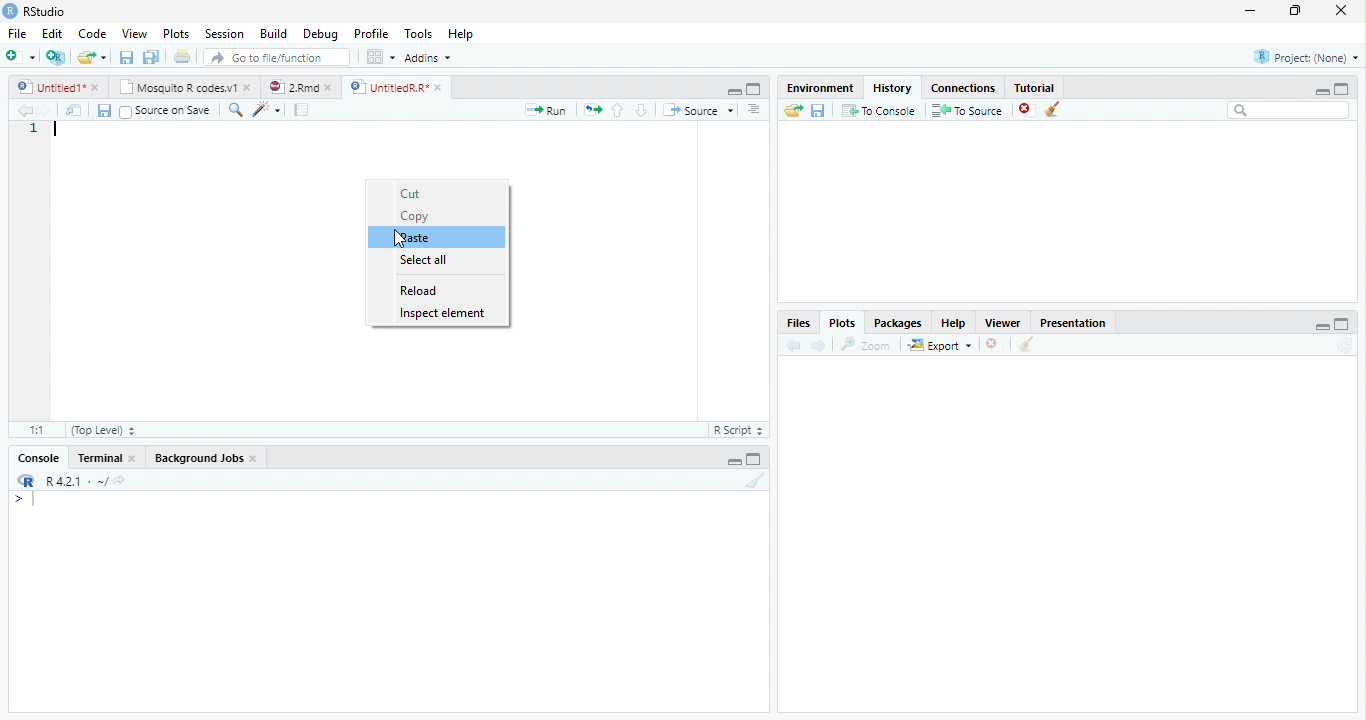  What do you see at coordinates (273, 33) in the screenshot?
I see `Build` at bounding box center [273, 33].